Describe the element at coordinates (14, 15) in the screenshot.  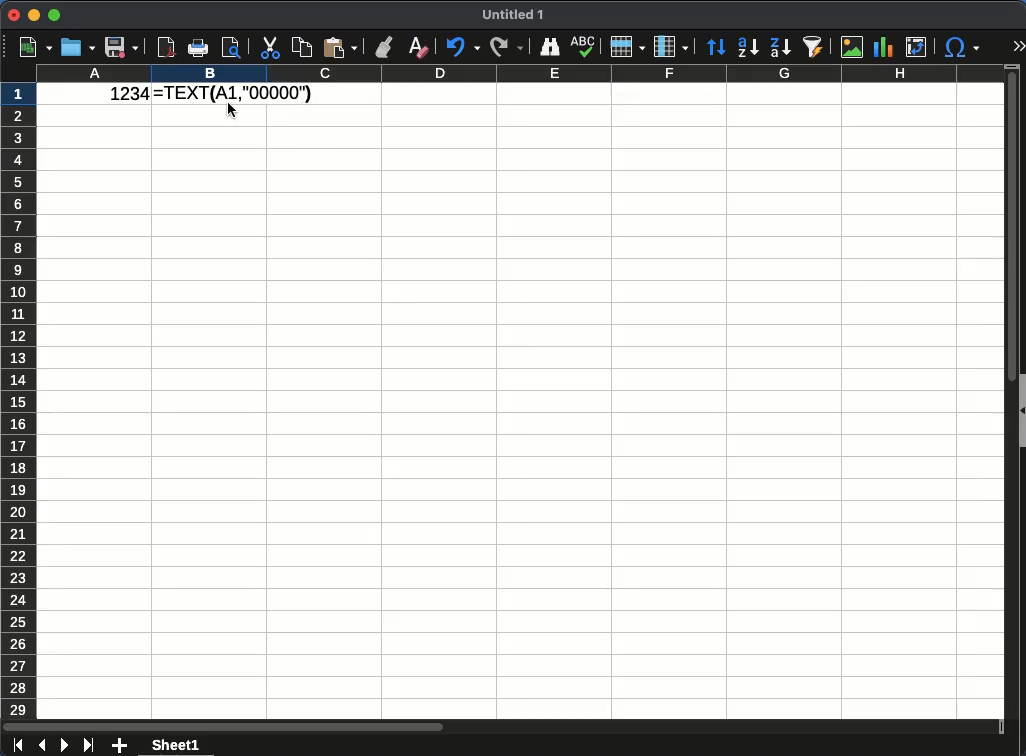
I see `close` at that location.